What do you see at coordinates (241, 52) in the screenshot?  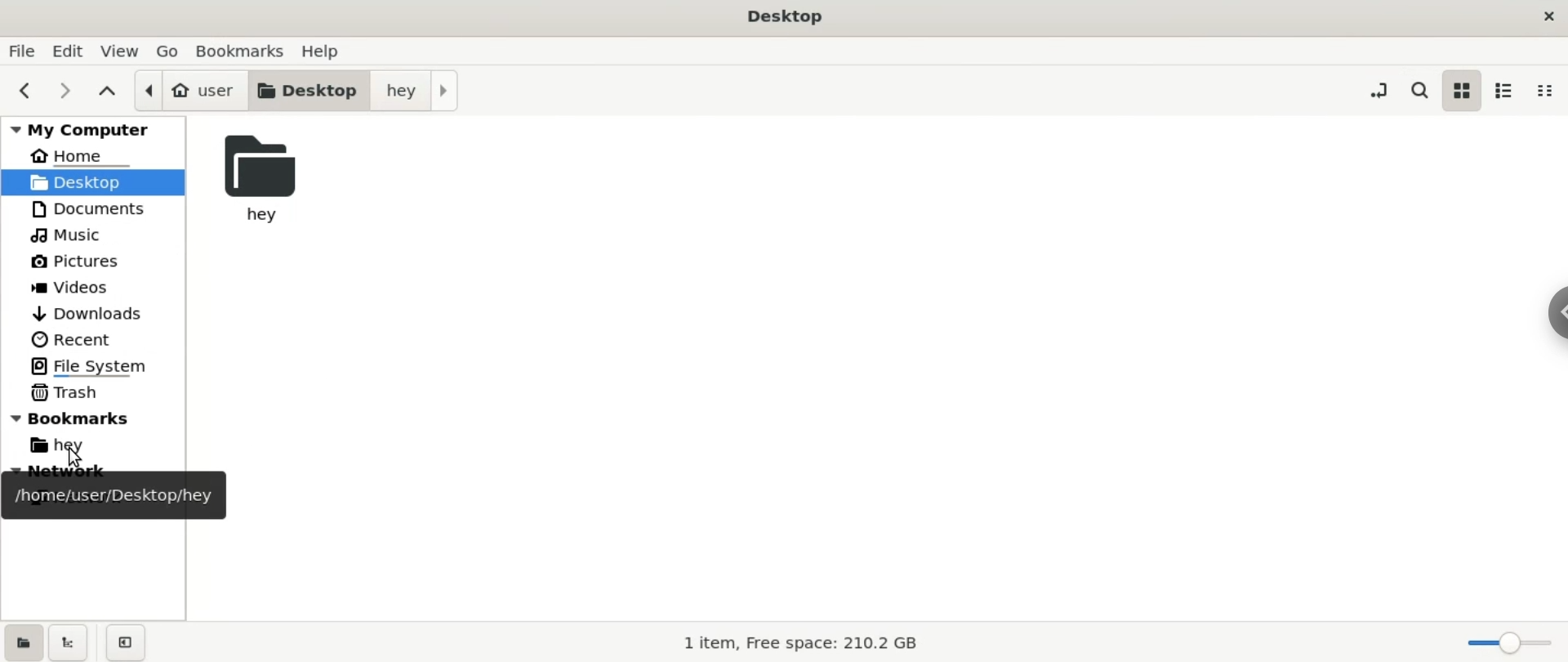 I see `bookmarks` at bounding box center [241, 52].